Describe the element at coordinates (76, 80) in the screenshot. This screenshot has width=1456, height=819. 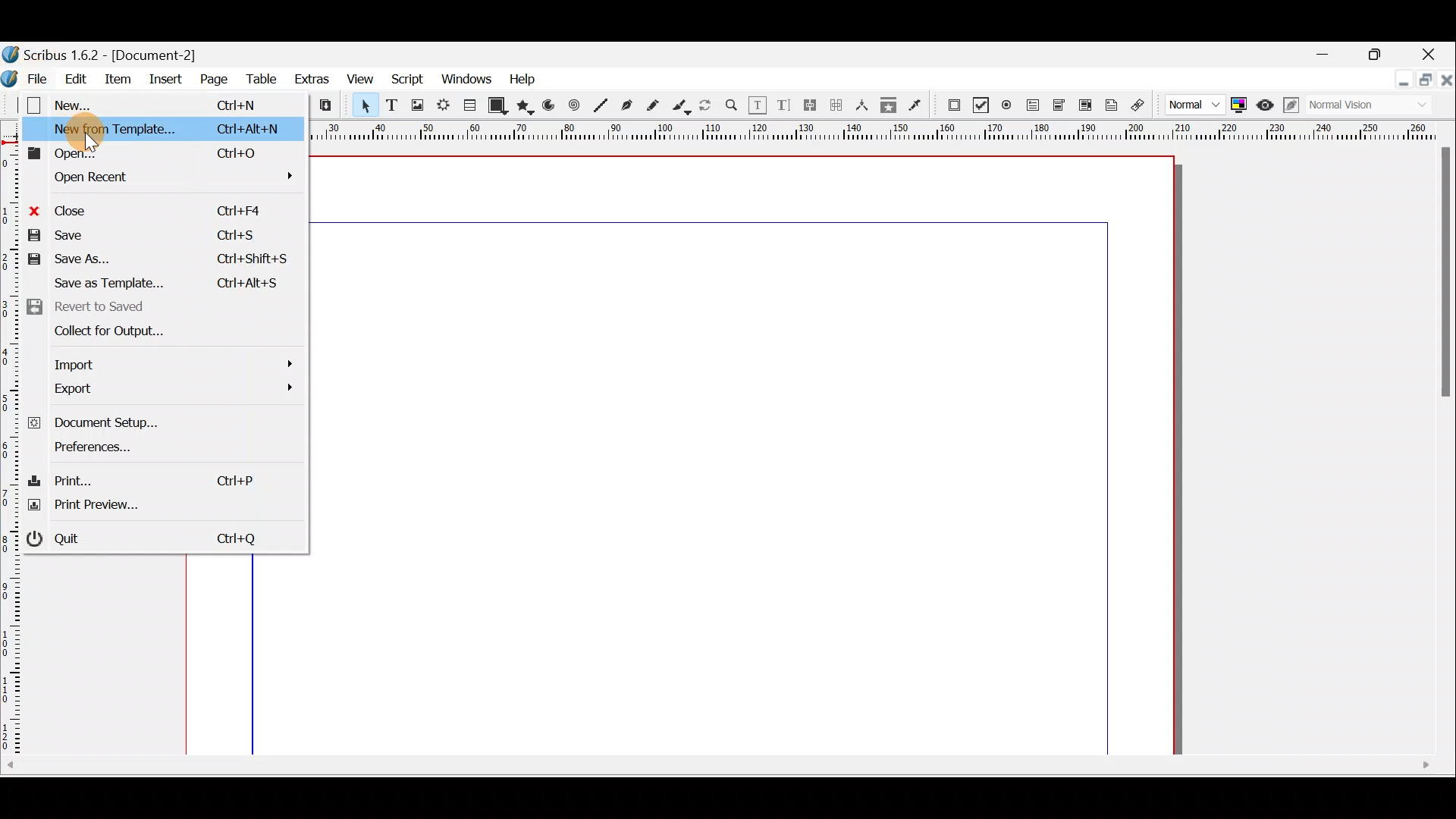
I see `Edit` at that location.